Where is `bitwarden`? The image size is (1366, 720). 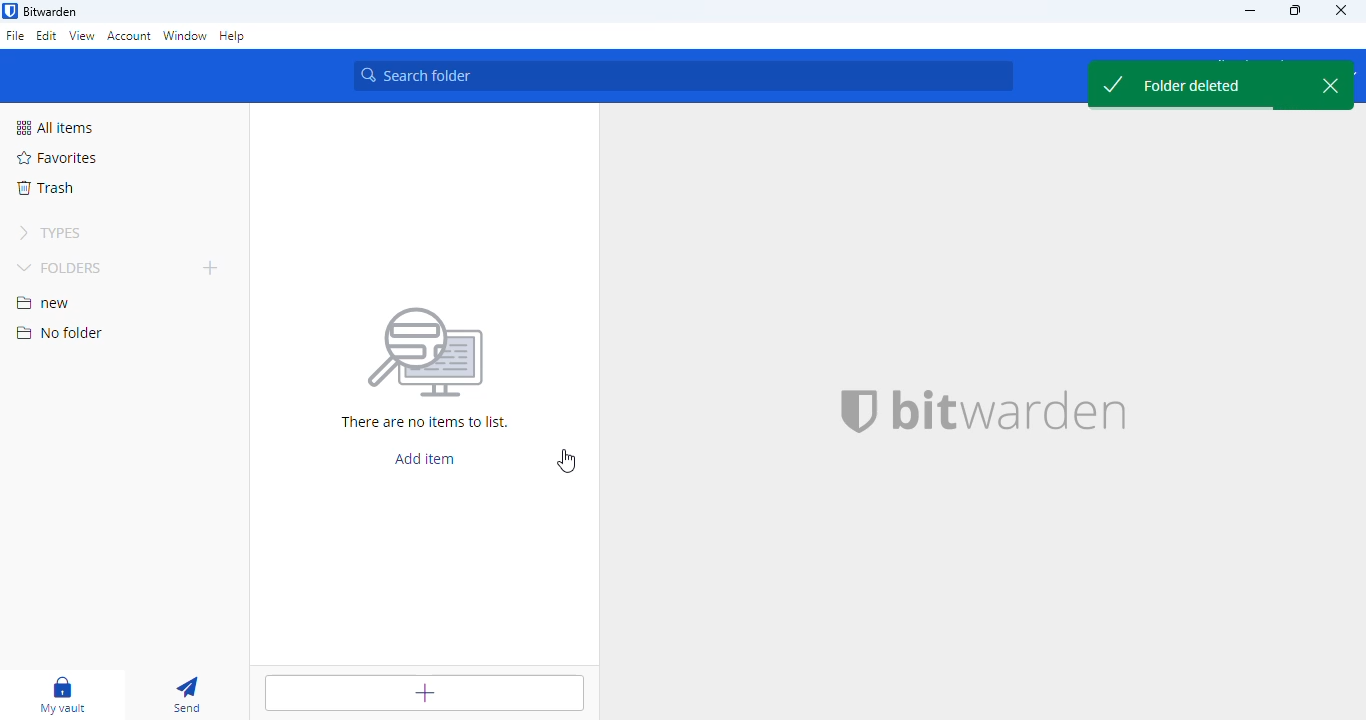
bitwarden is located at coordinates (1009, 410).